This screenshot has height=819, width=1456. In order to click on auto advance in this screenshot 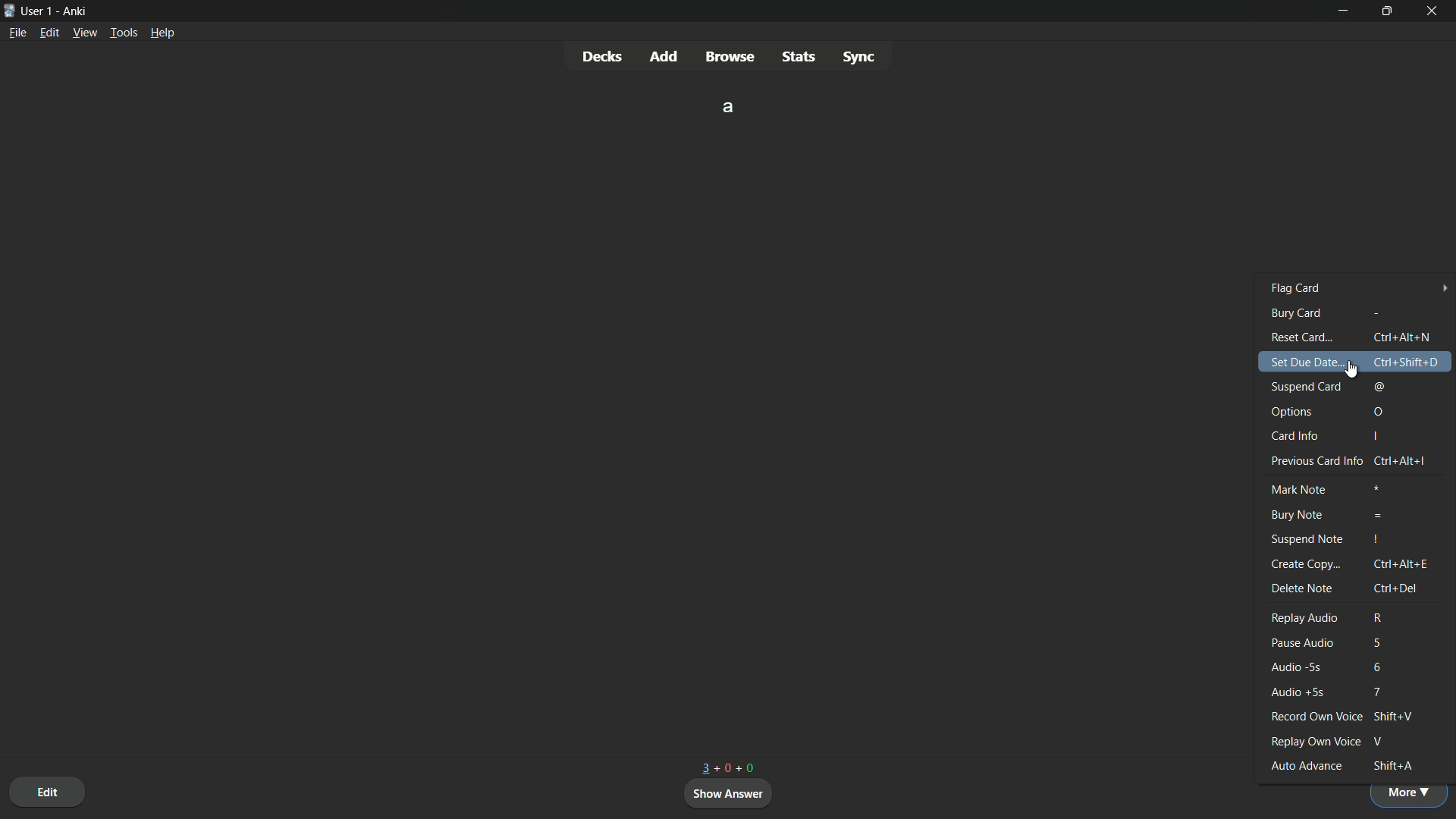, I will do `click(1307, 766)`.